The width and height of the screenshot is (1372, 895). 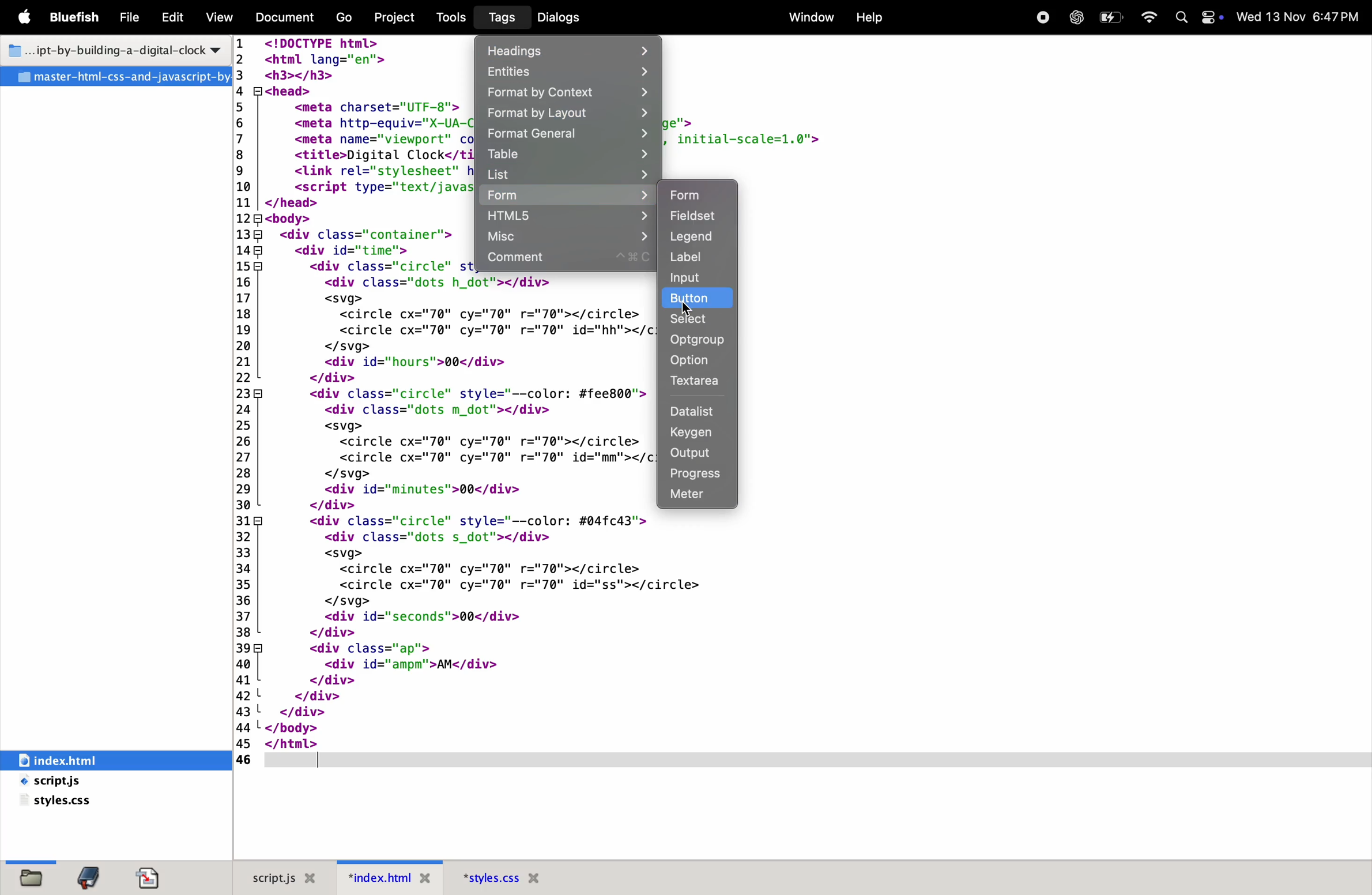 I want to click on Document, so click(x=286, y=17).